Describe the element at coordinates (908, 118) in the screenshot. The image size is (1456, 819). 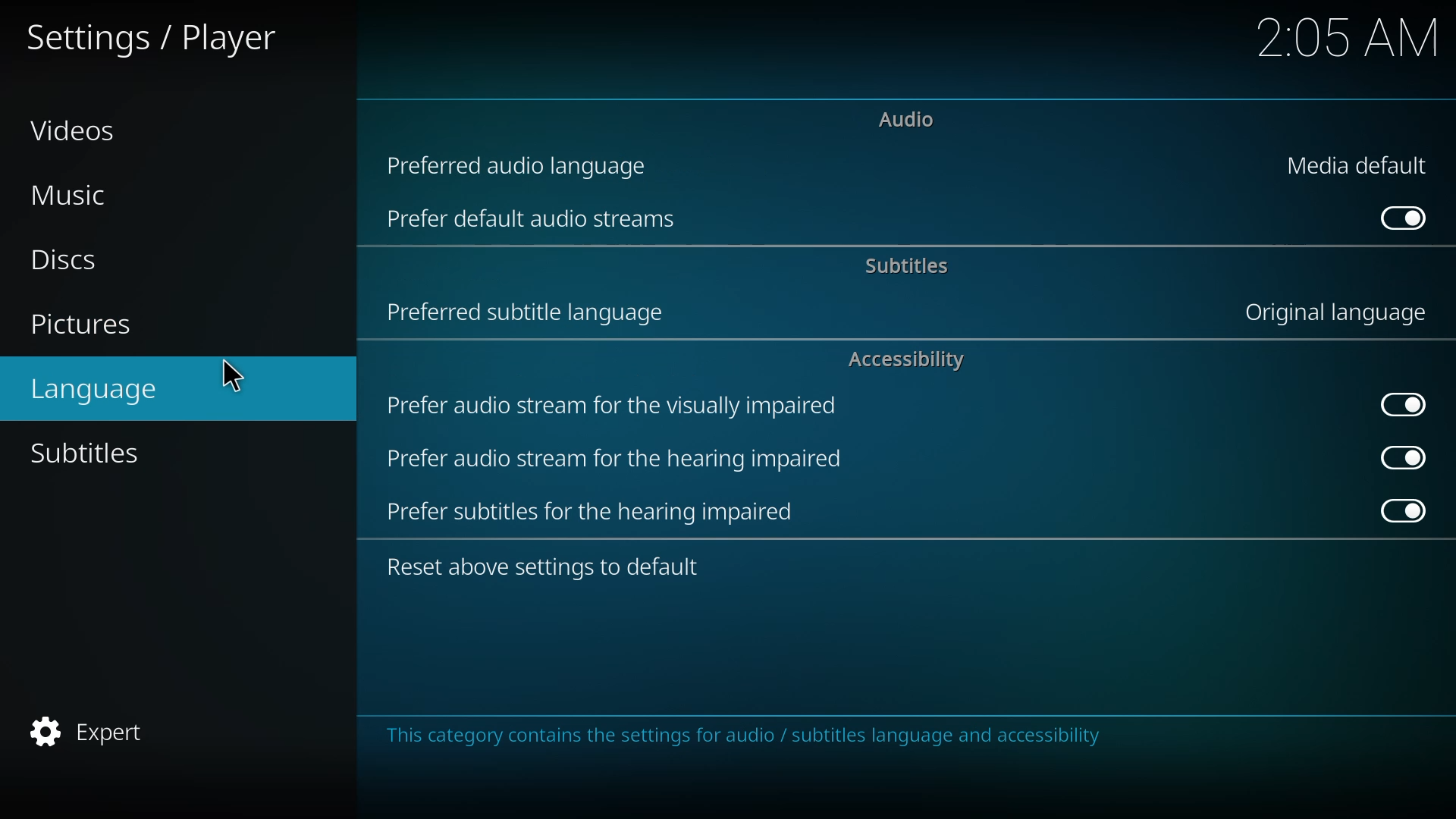
I see `audio` at that location.